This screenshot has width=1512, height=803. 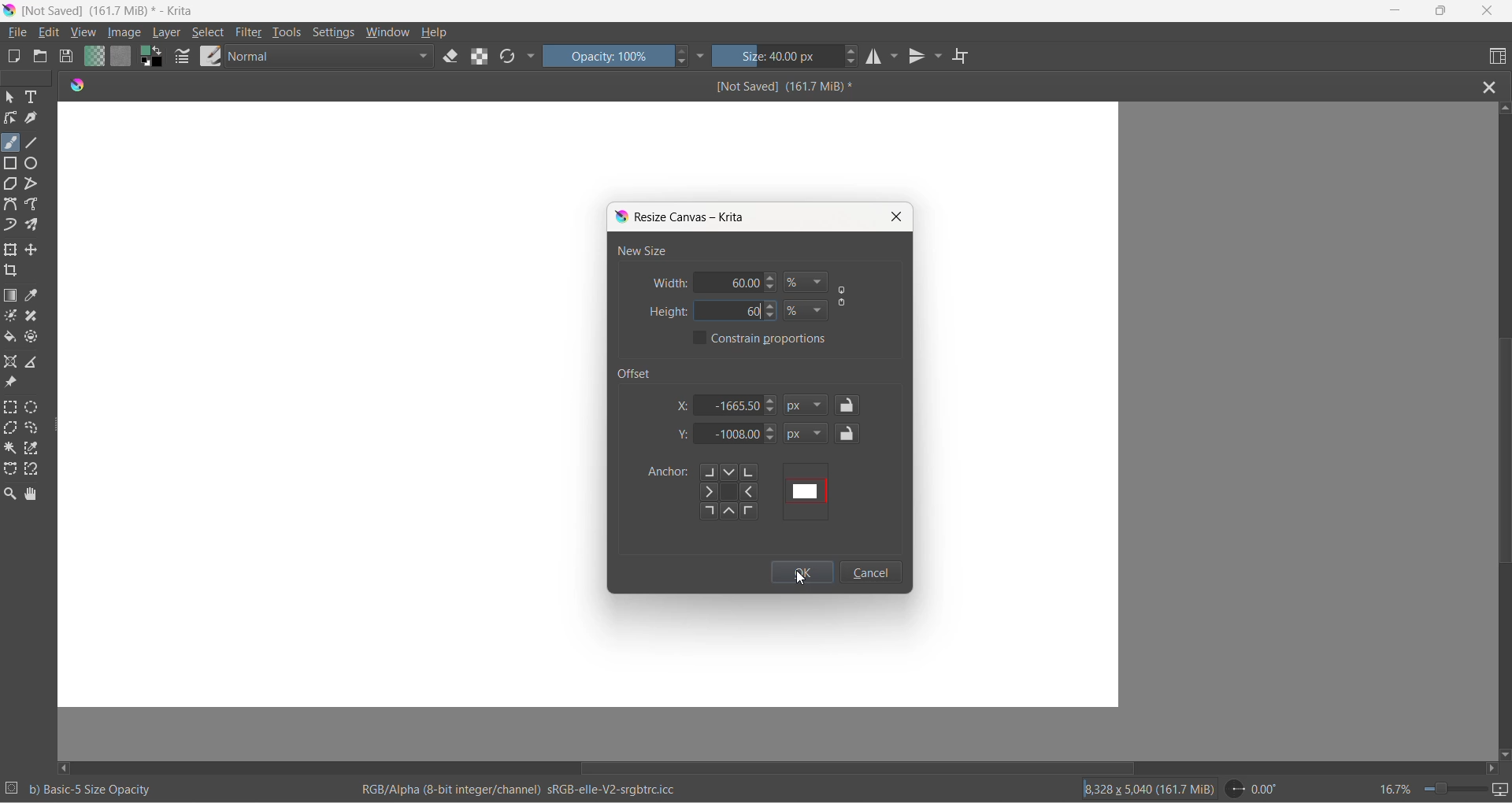 What do you see at coordinates (773, 430) in the screenshot?
I see `y-axis value increment` at bounding box center [773, 430].